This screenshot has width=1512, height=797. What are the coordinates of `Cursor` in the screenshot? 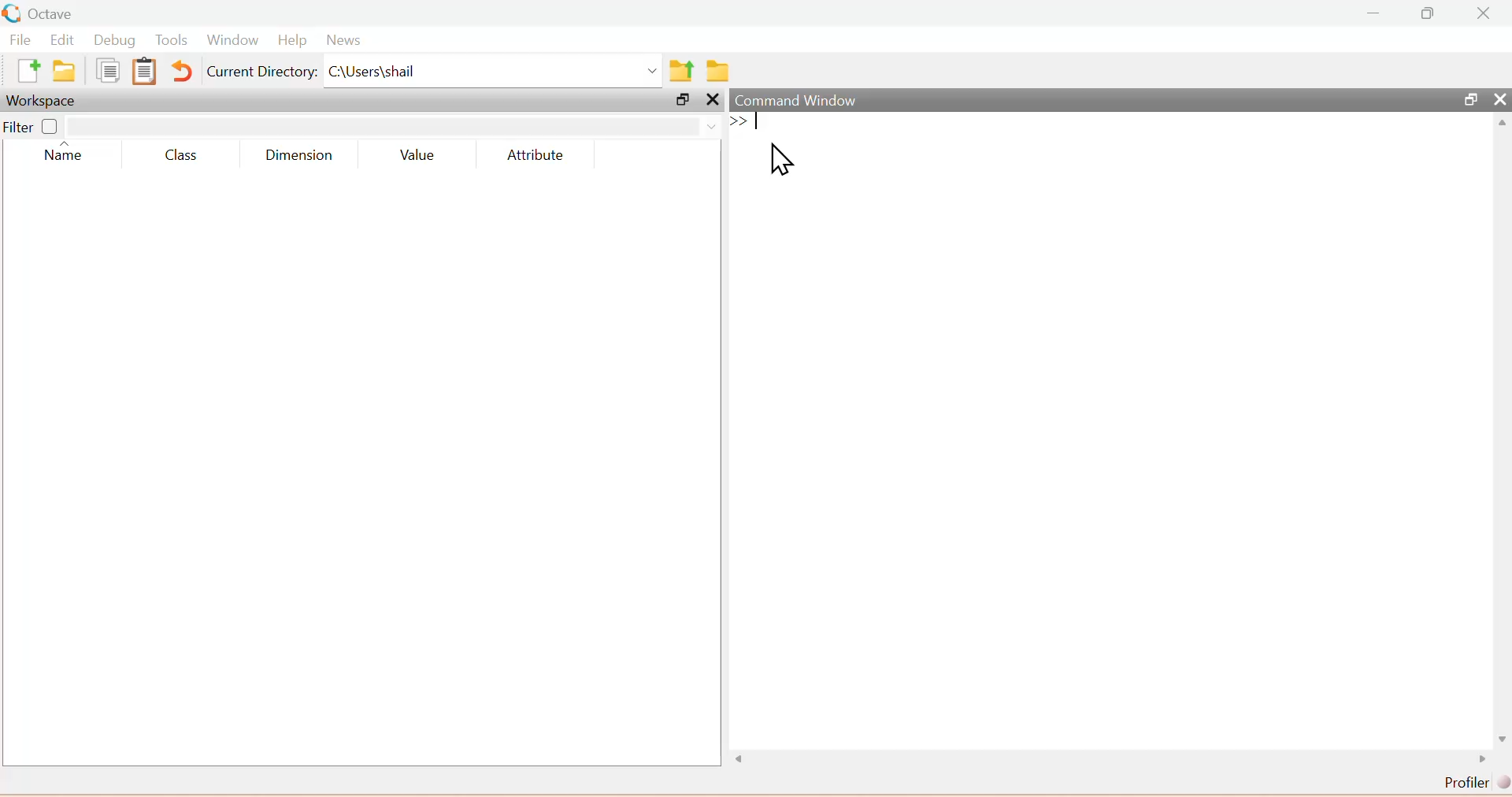 It's located at (784, 161).